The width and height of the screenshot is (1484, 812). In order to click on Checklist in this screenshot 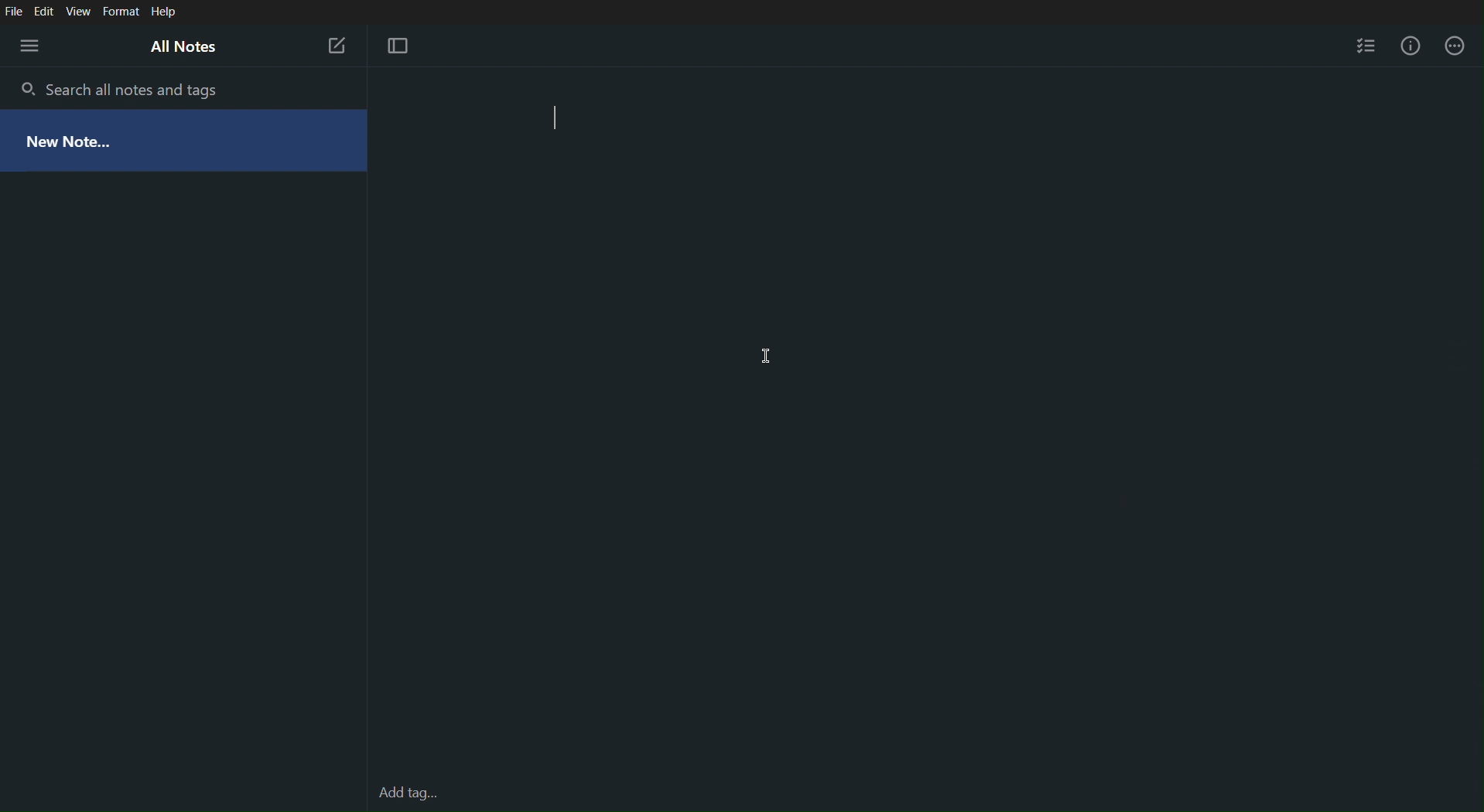, I will do `click(1365, 46)`.